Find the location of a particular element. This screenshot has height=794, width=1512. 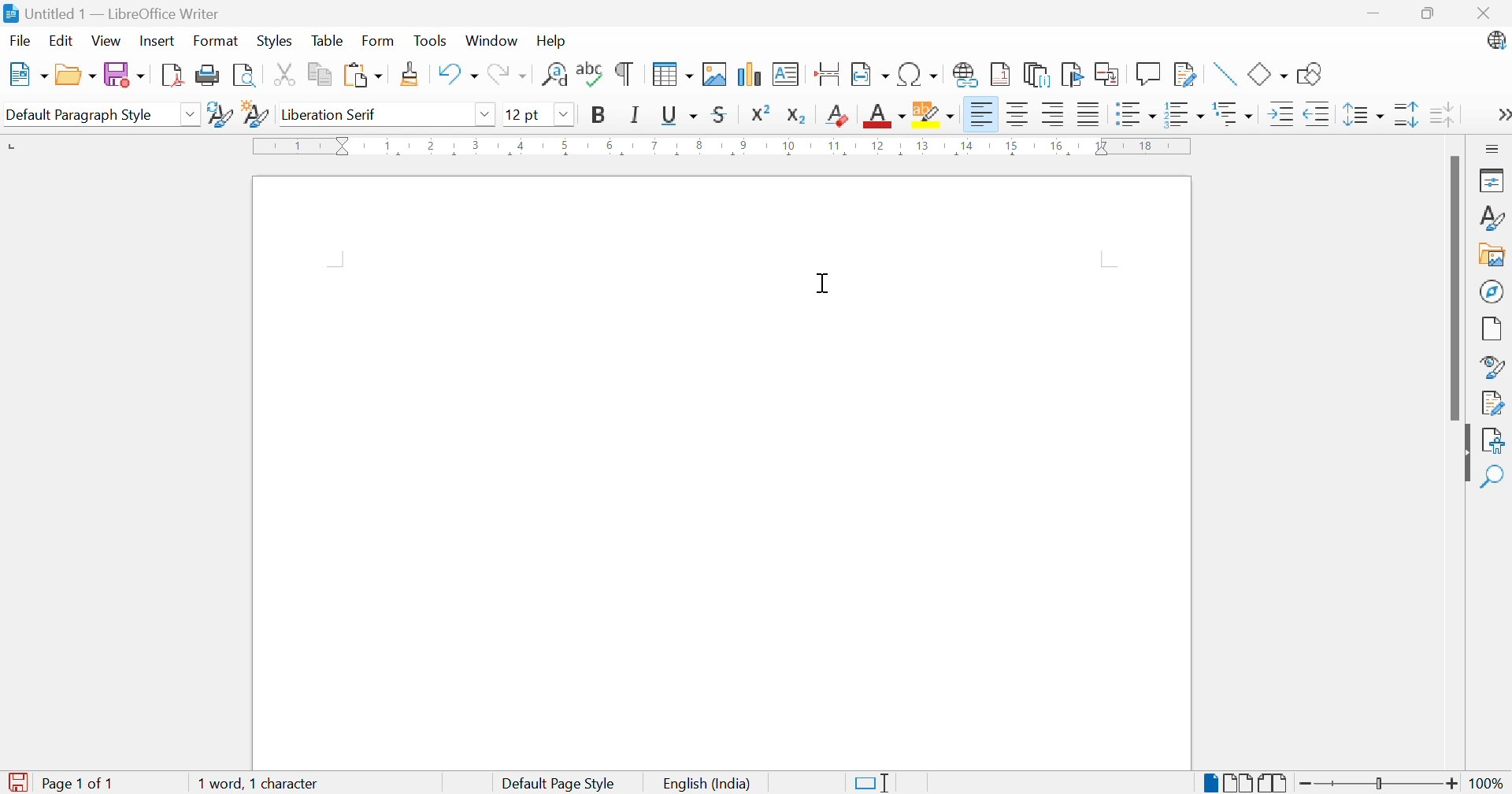

Redo is located at coordinates (507, 75).